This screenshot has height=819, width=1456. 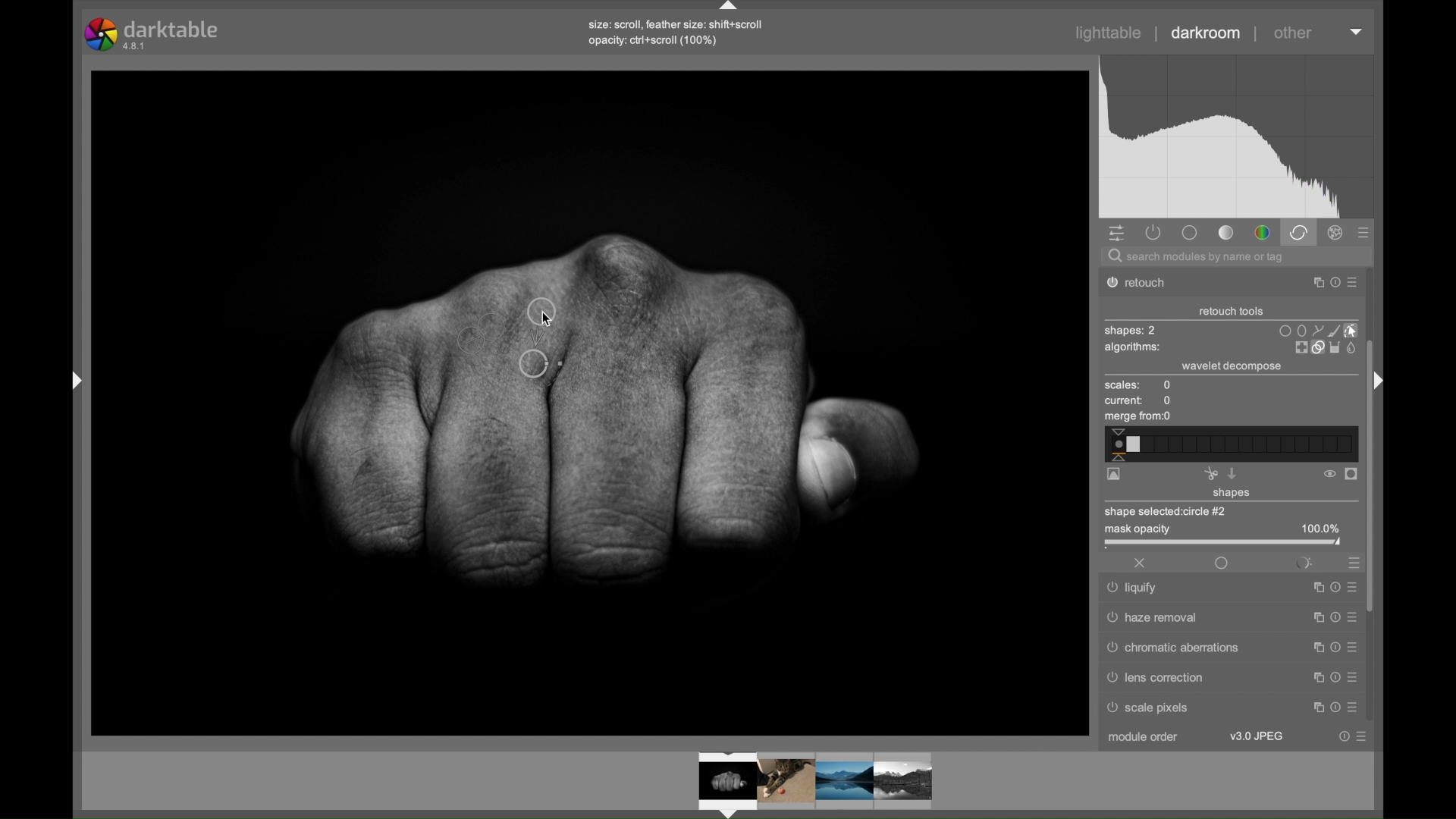 I want to click on algorithms, so click(x=1134, y=349).